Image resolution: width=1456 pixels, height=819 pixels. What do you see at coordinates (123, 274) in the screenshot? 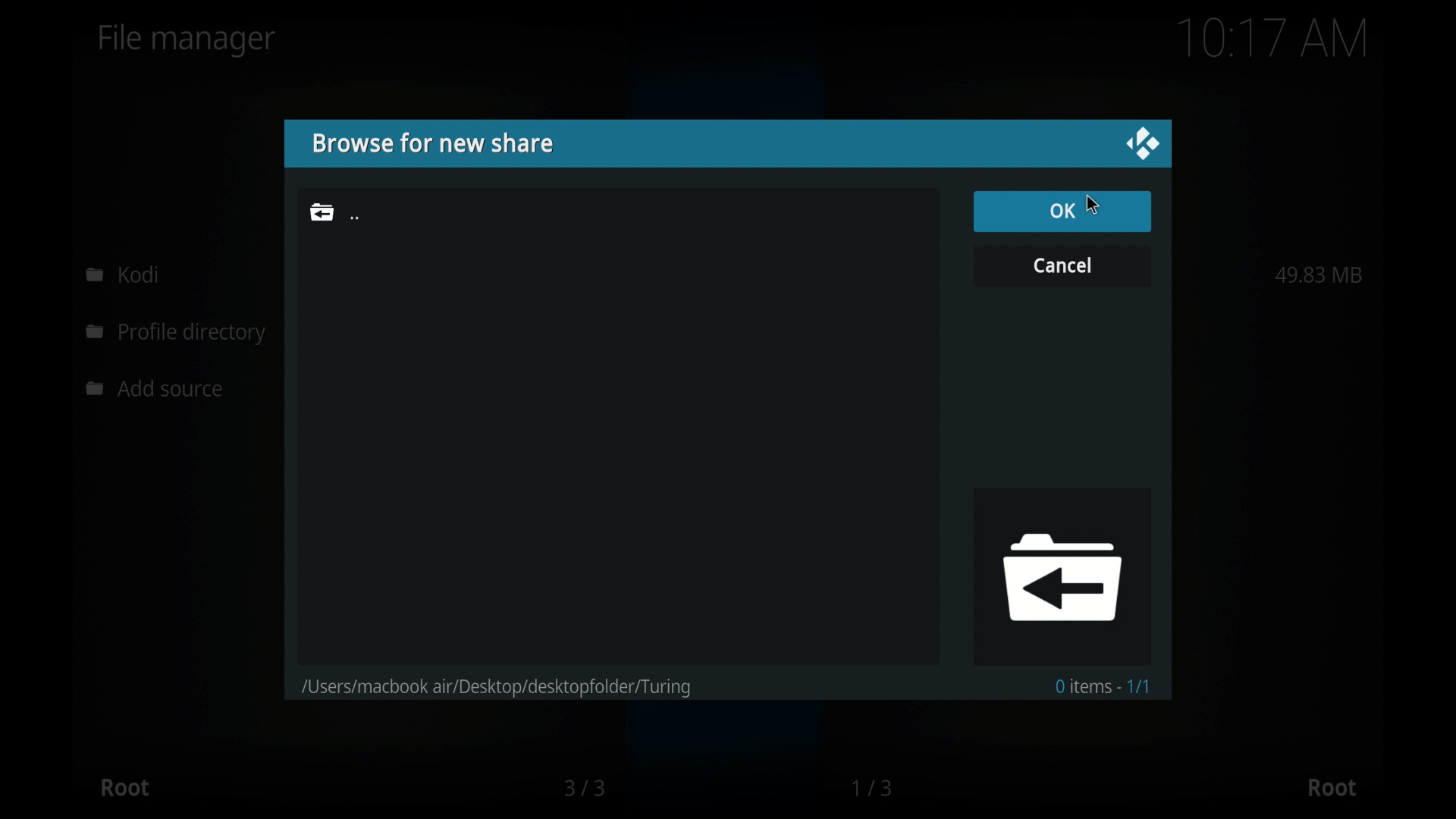
I see `kodi` at bounding box center [123, 274].